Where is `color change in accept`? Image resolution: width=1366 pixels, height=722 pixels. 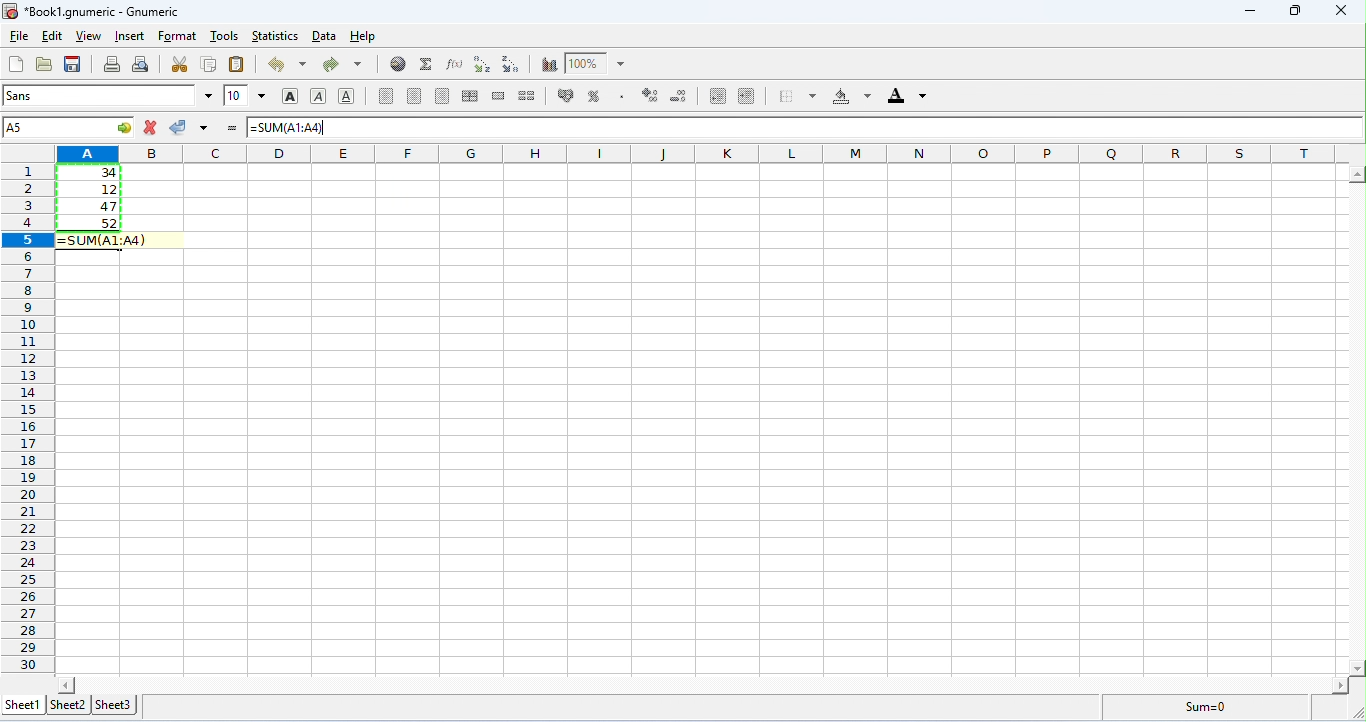 color change in accept is located at coordinates (188, 127).